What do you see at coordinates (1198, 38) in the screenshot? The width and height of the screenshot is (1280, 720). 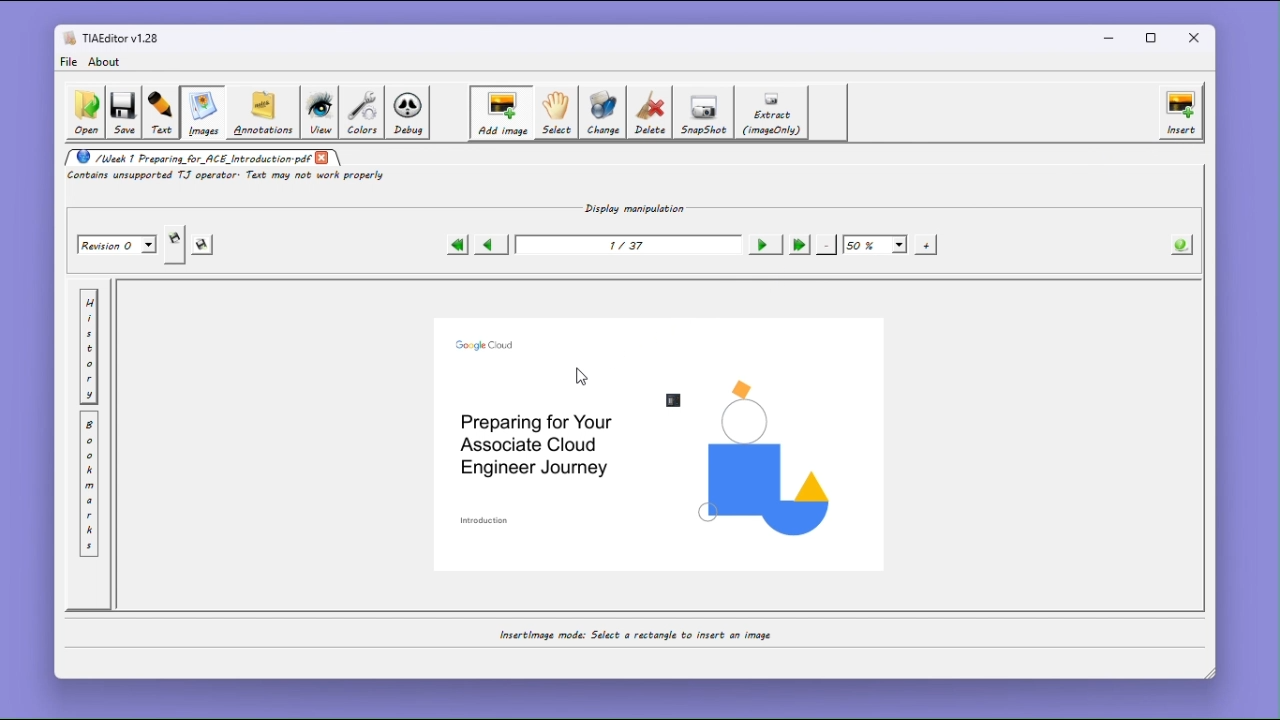 I see `close` at bounding box center [1198, 38].